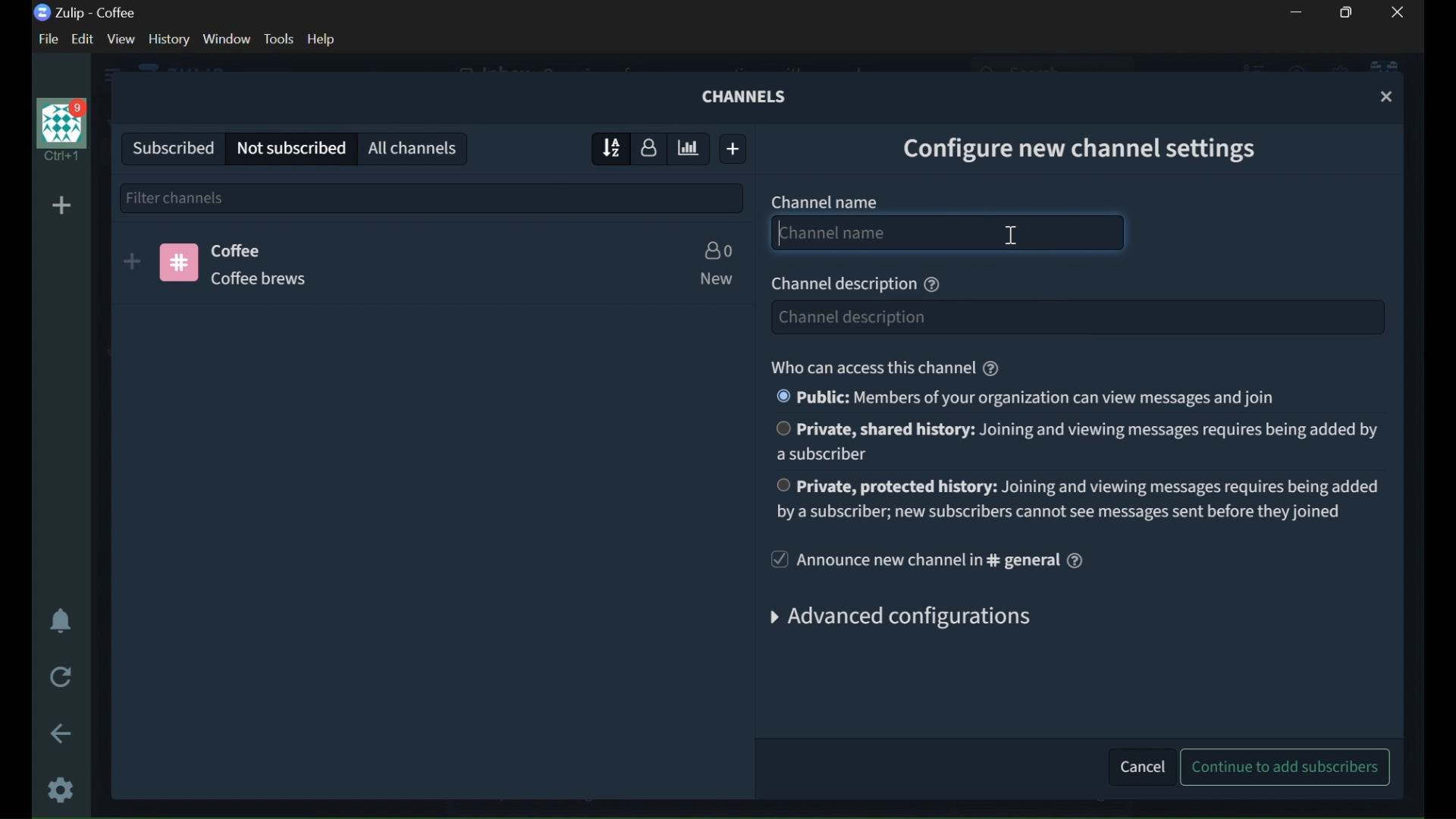  I want to click on CONFIGURE NEW CHANNEL SETTINGS, so click(1093, 146).